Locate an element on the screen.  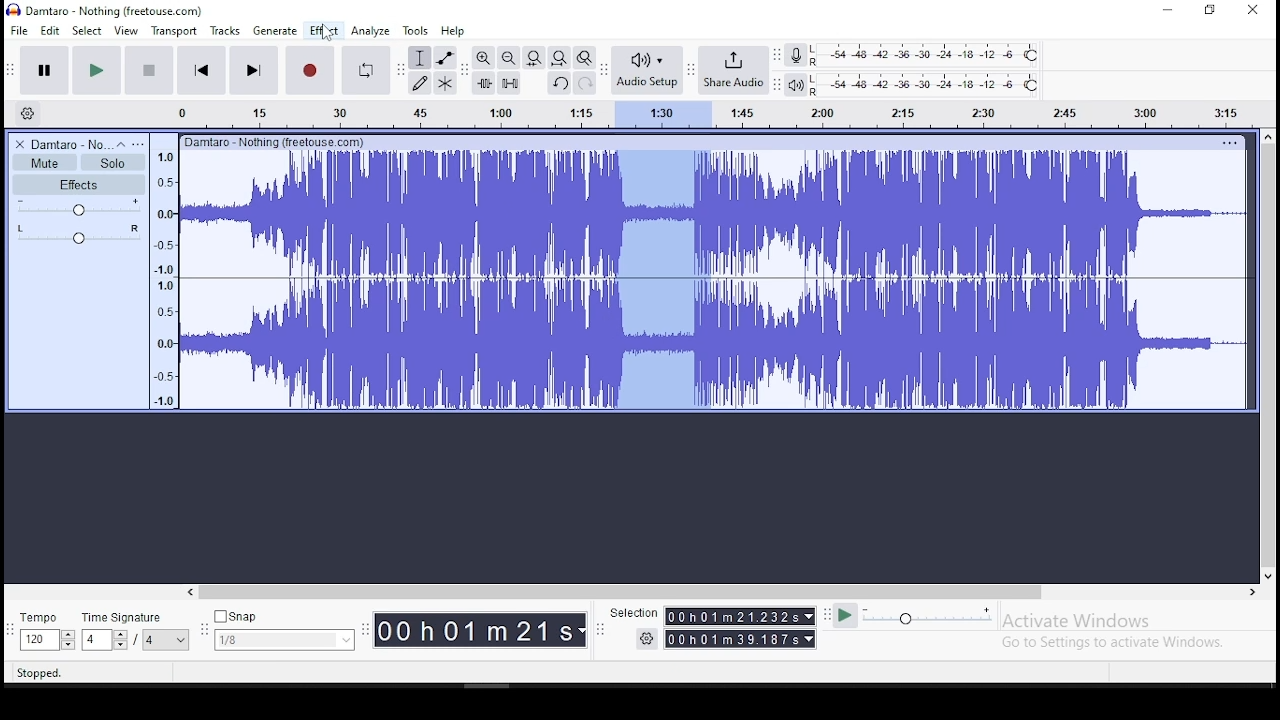
multi tool is located at coordinates (445, 82).